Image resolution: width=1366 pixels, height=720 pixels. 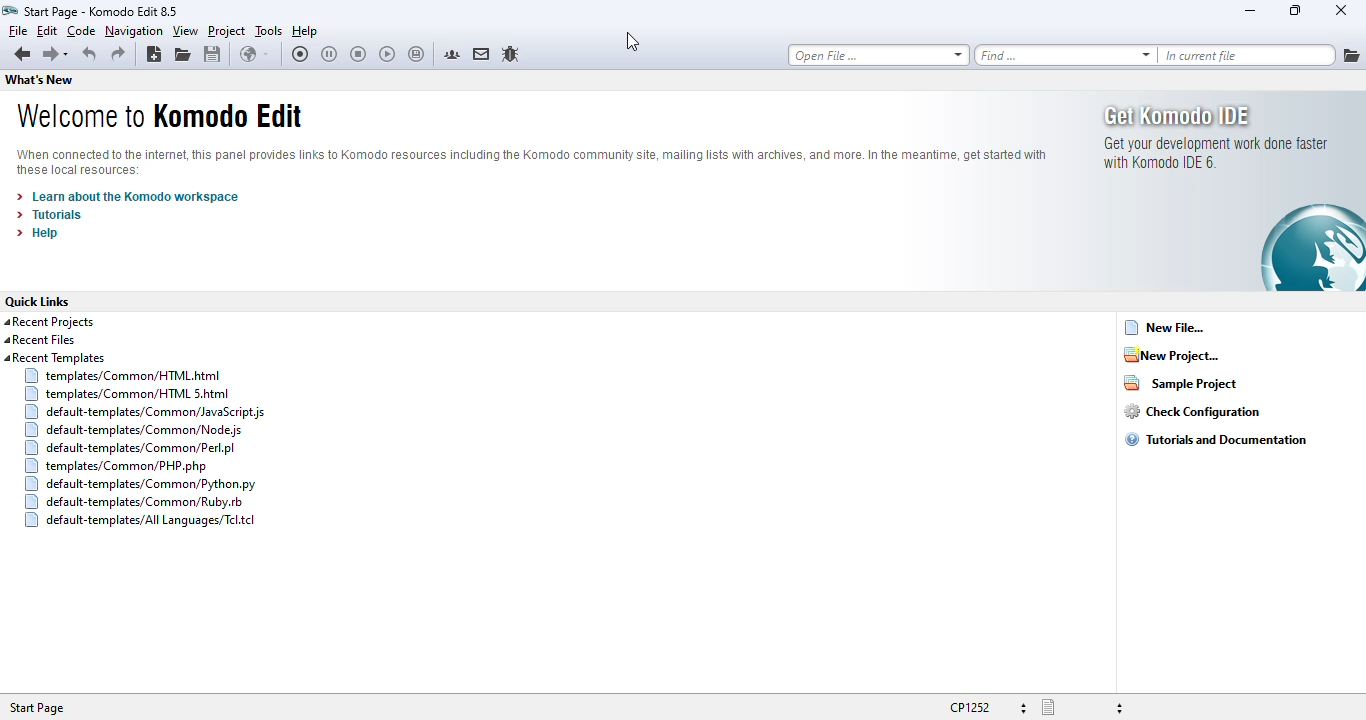 I want to click on logo, so click(x=10, y=10).